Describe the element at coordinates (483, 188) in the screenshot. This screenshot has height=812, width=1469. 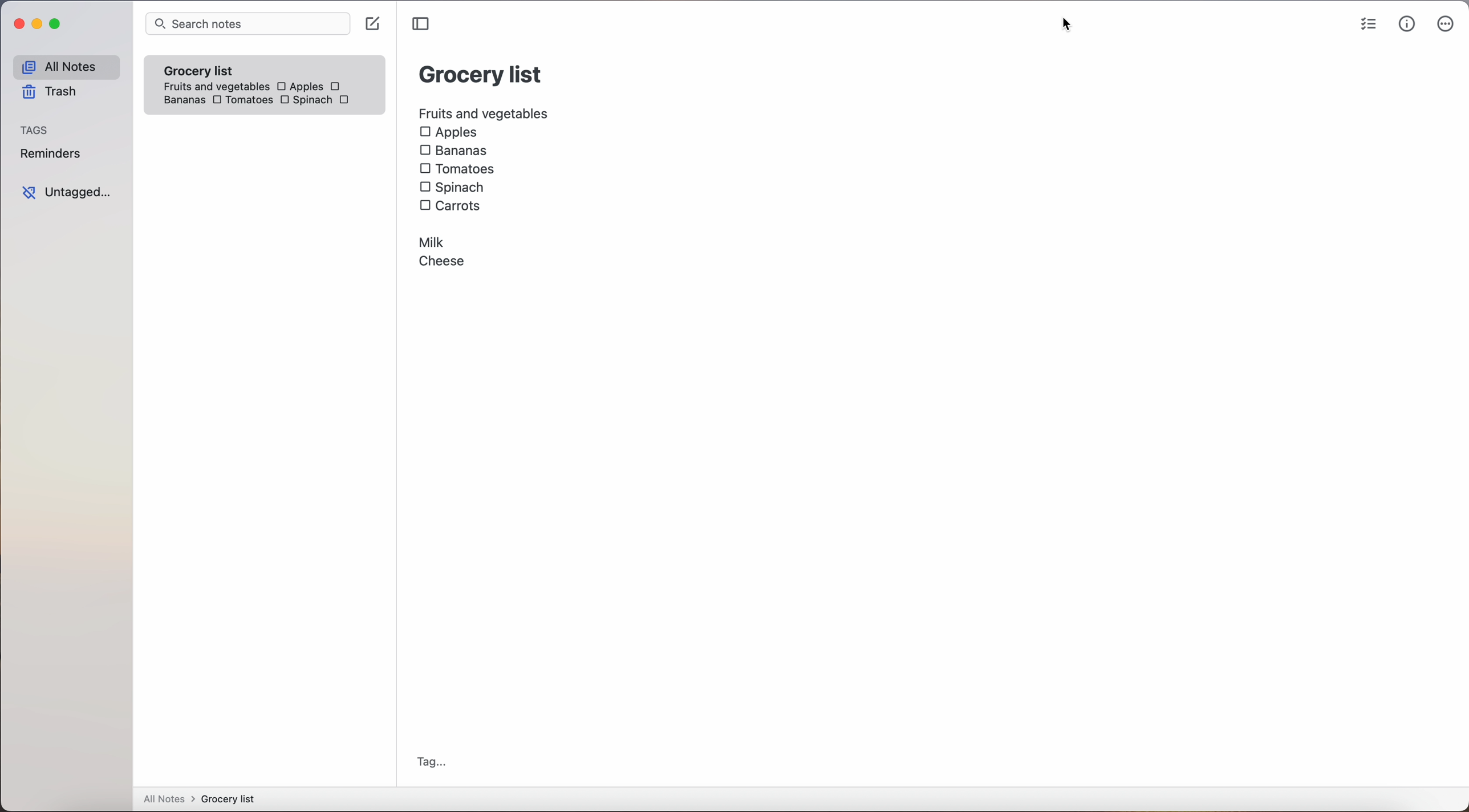
I see `Fruits and vegetables: Apples, Bananas, Tomatoes, Spinach, Carrots, Milk, Cheese` at that location.